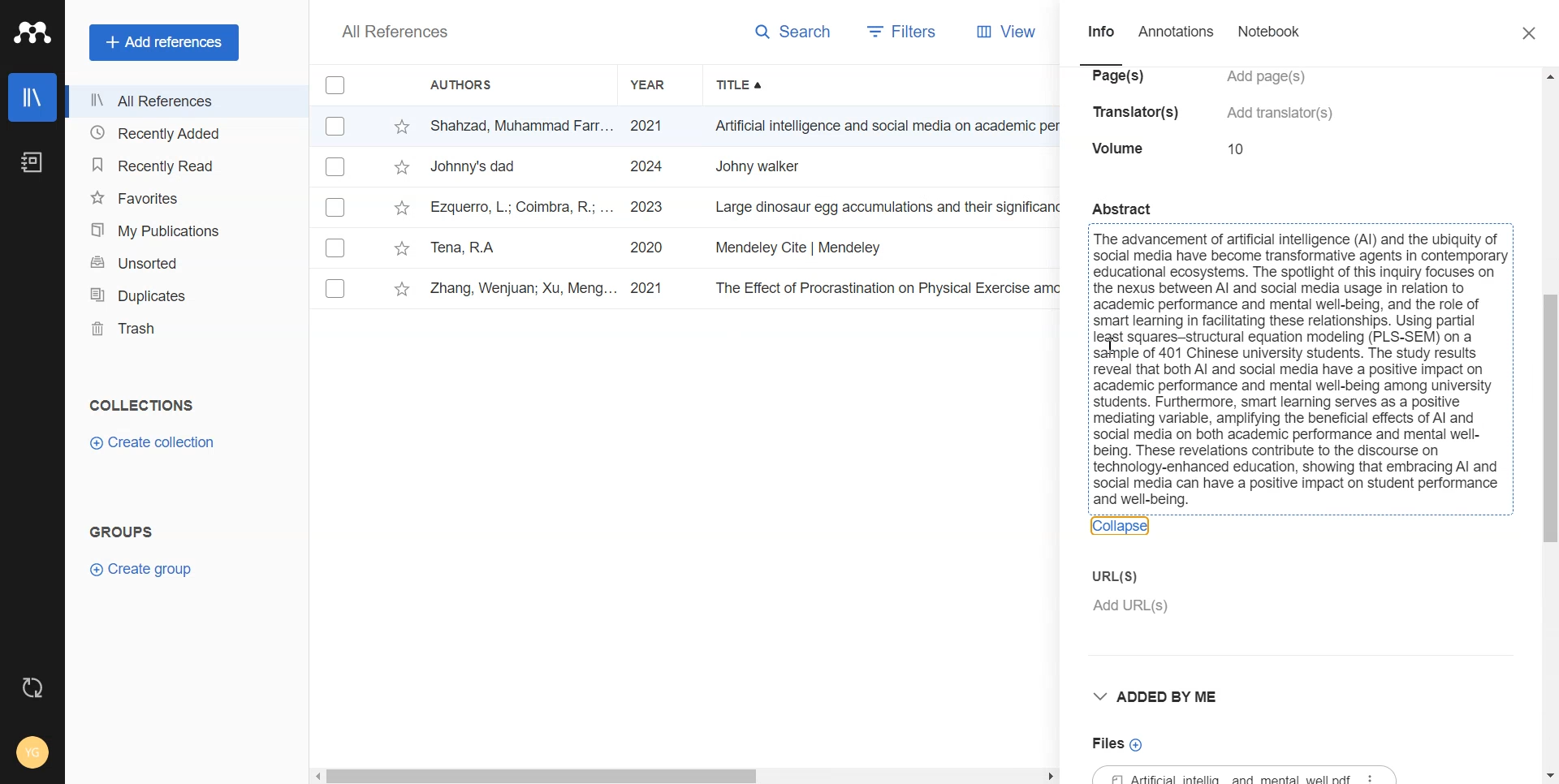 Image resolution: width=1559 pixels, height=784 pixels. Describe the element at coordinates (1118, 574) in the screenshot. I see `Enter URL` at that location.